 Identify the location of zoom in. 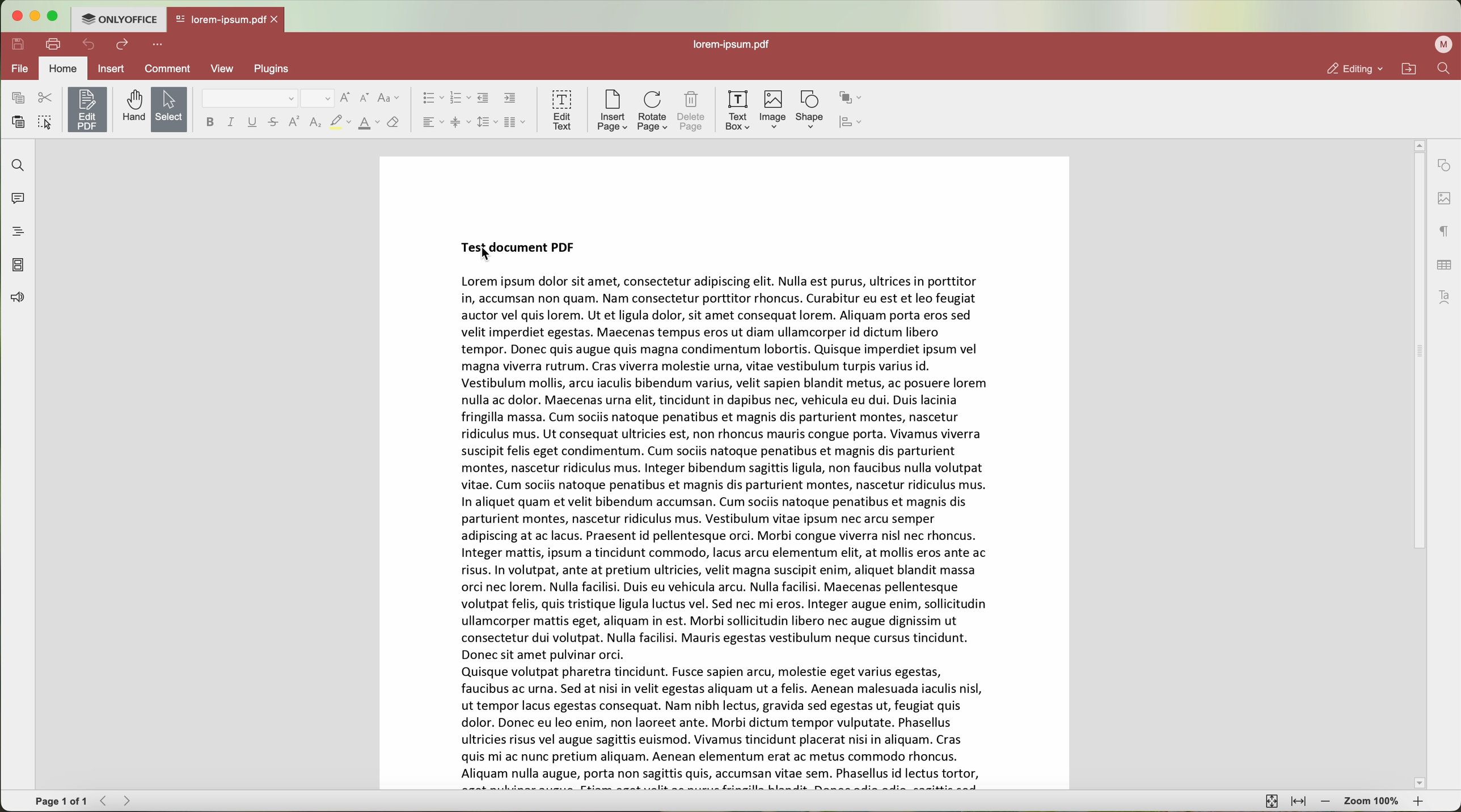
(1418, 802).